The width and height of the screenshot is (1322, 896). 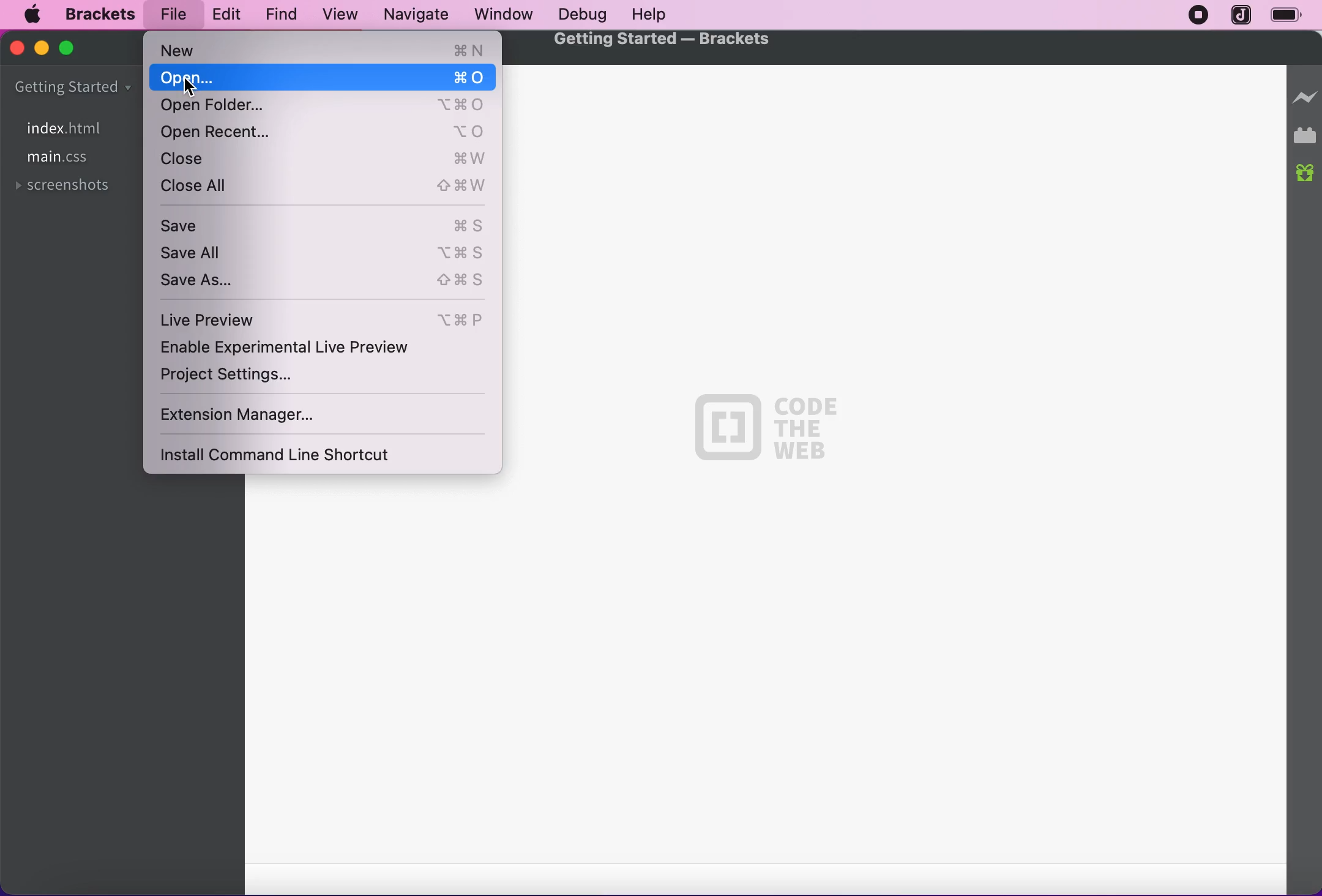 I want to click on minimize, so click(x=40, y=47).